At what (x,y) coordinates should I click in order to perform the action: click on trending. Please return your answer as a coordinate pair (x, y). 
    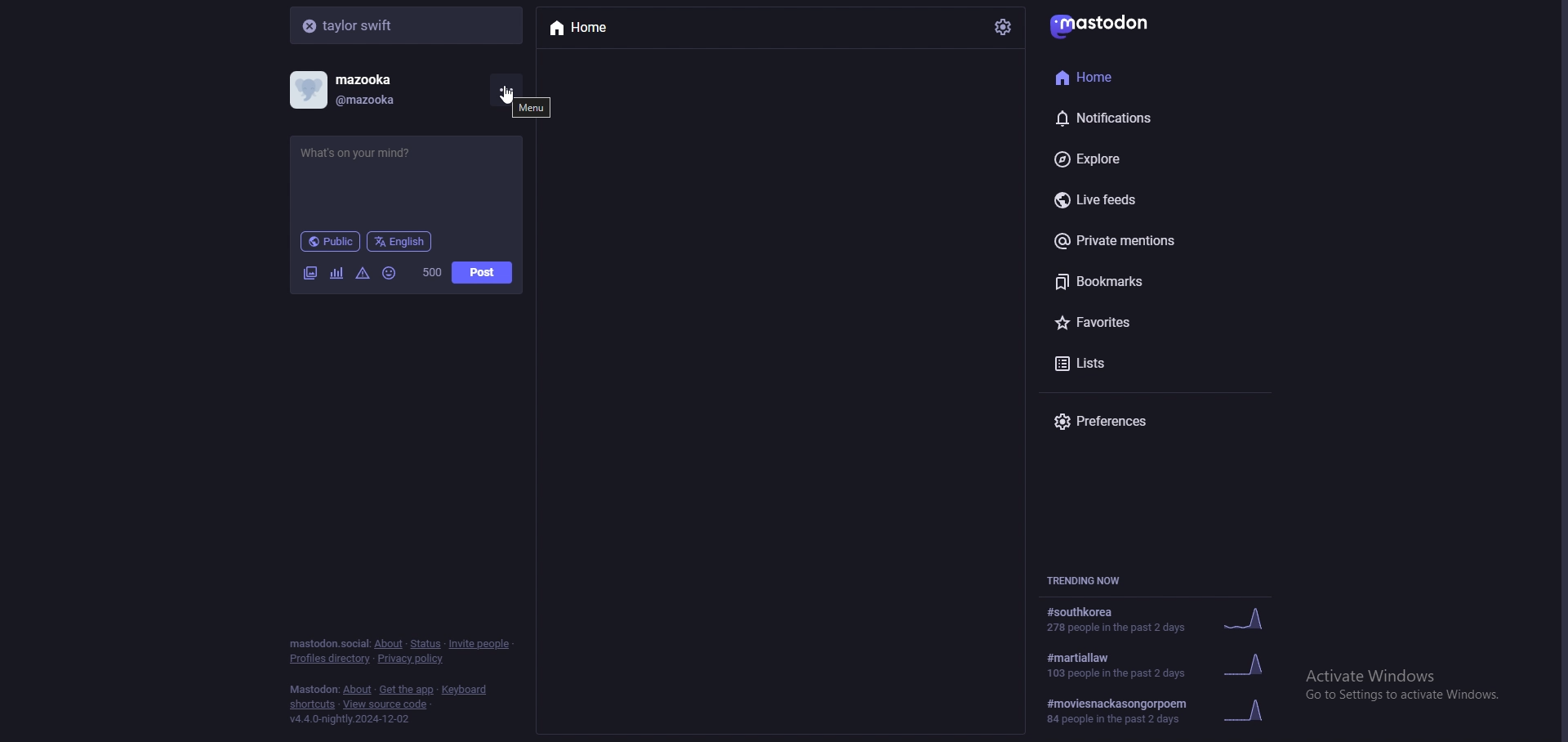
    Looking at the image, I should click on (1158, 665).